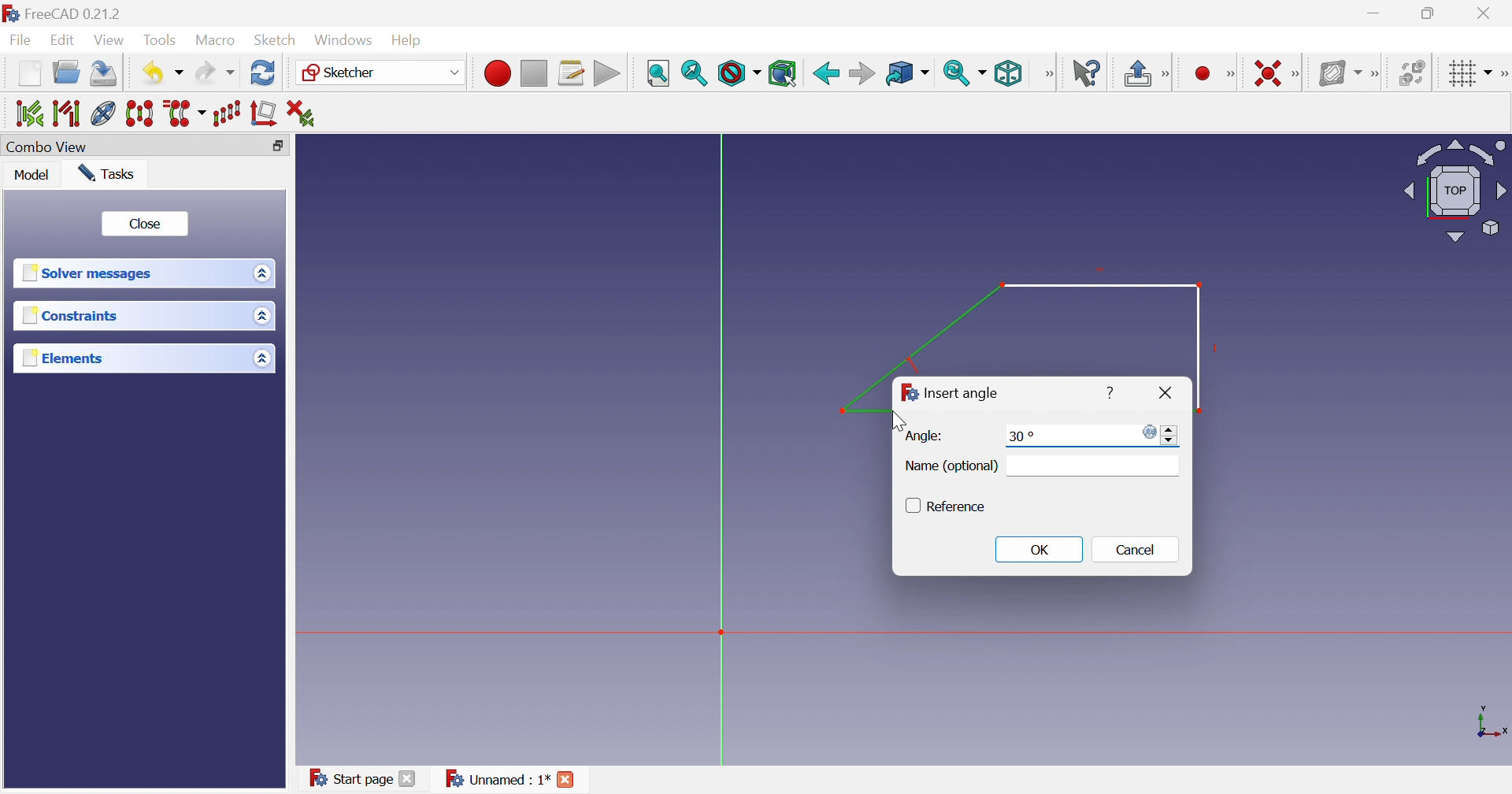  Describe the element at coordinates (20, 42) in the screenshot. I see `File` at that location.